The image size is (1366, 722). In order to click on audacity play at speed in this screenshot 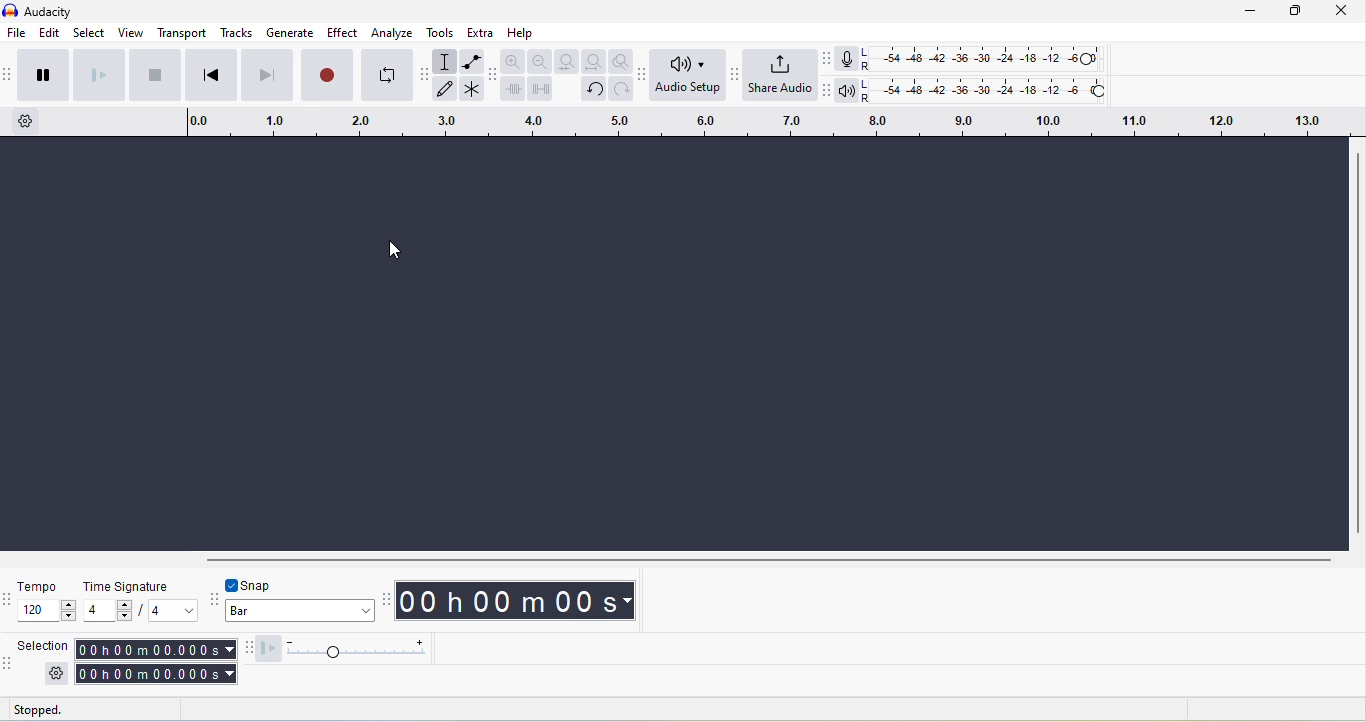, I will do `click(250, 647)`.